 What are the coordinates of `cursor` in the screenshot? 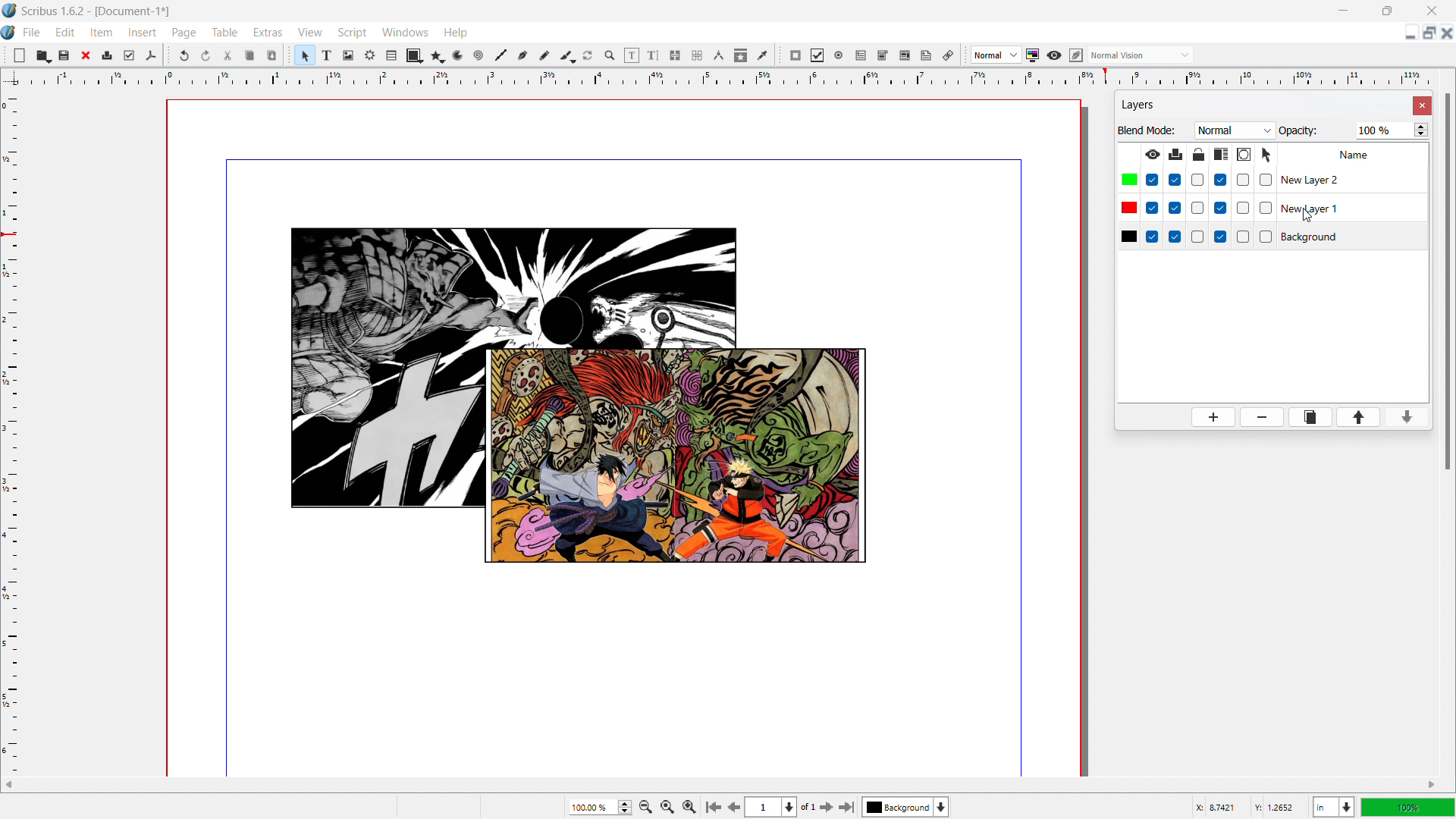 It's located at (1306, 214).